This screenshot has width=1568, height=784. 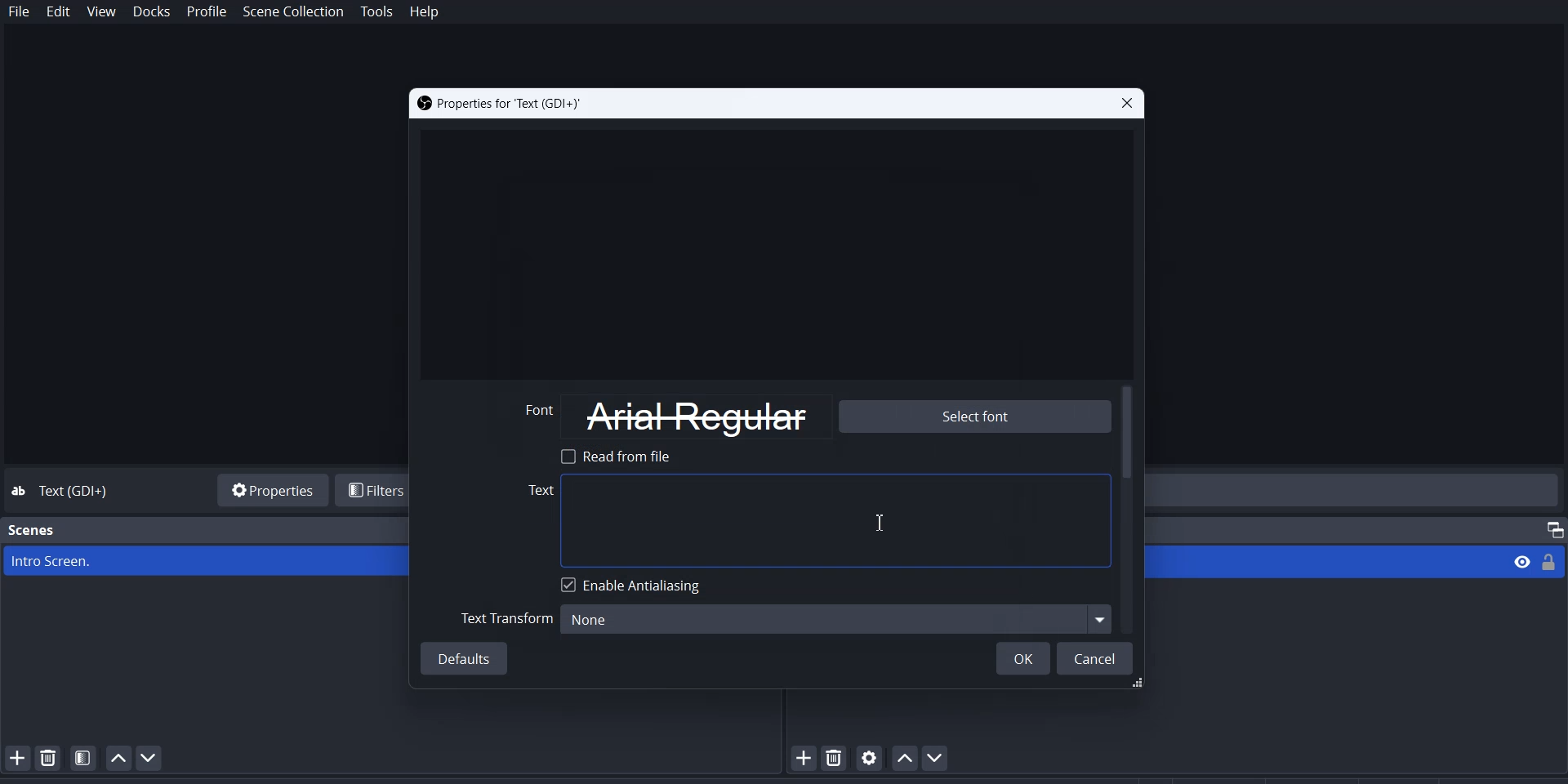 What do you see at coordinates (78, 492) in the screenshot?
I see `Text` at bounding box center [78, 492].